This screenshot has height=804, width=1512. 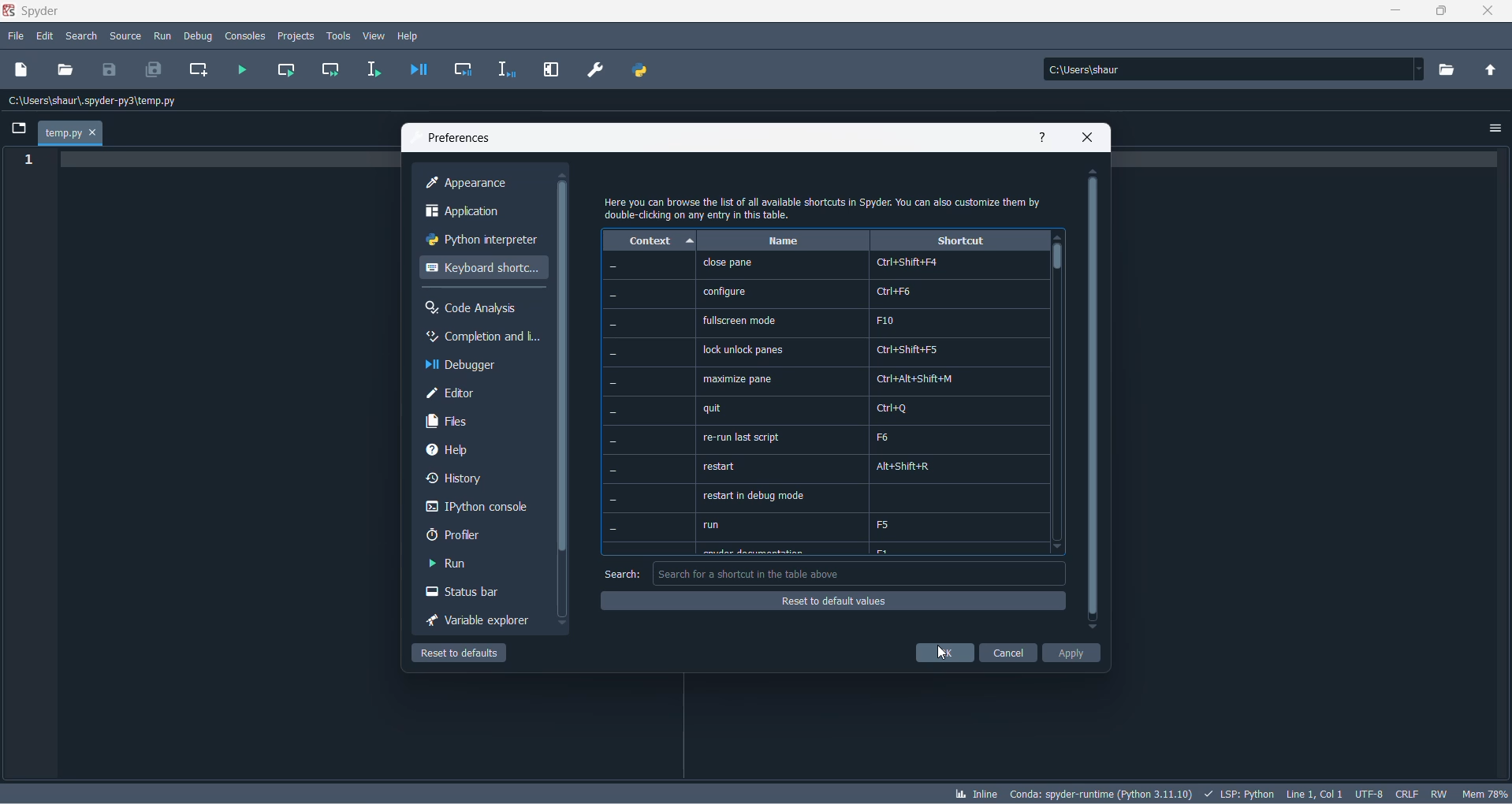 I want to click on move down, so click(x=564, y=624).